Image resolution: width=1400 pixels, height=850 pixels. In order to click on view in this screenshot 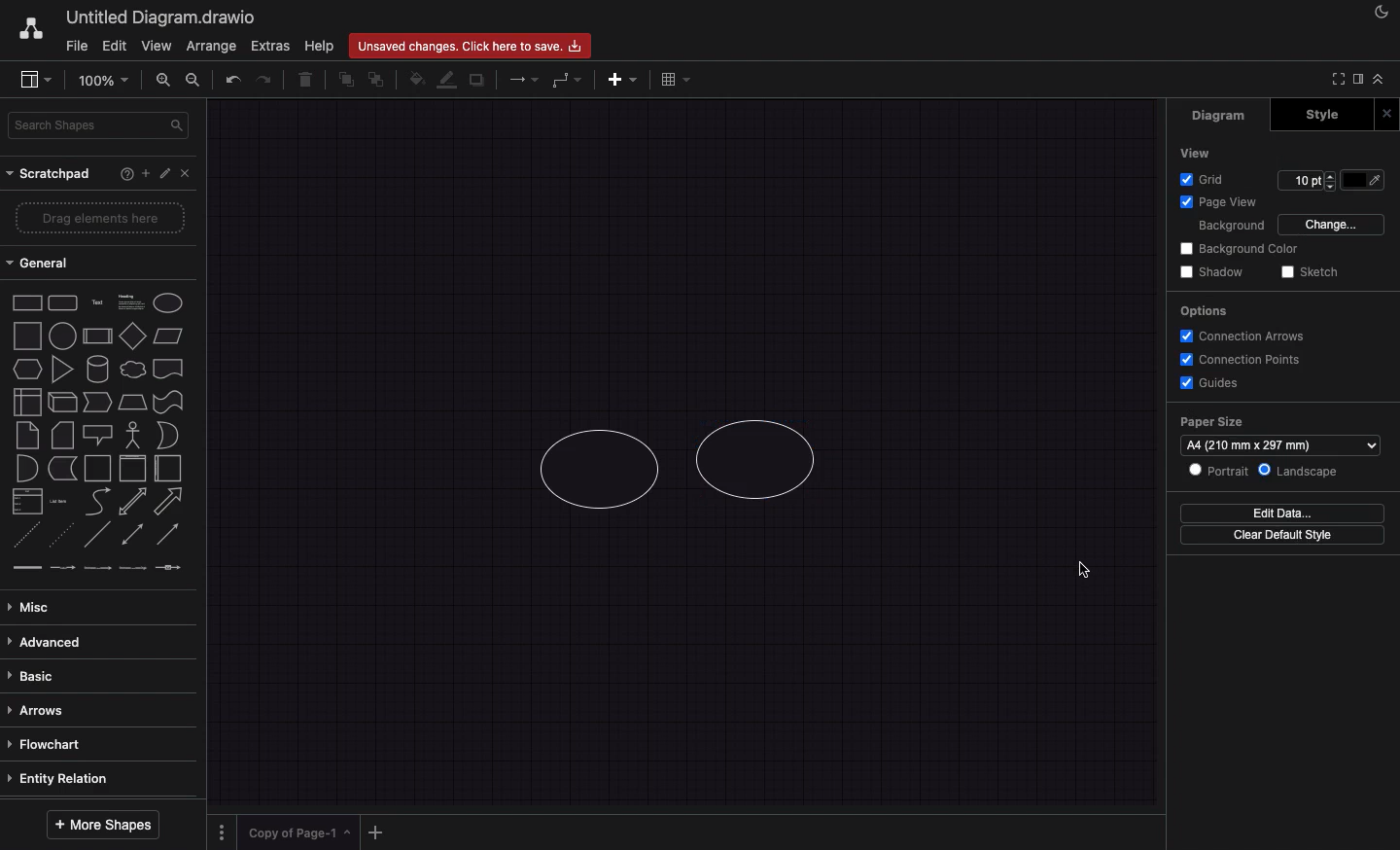, I will do `click(32, 78)`.